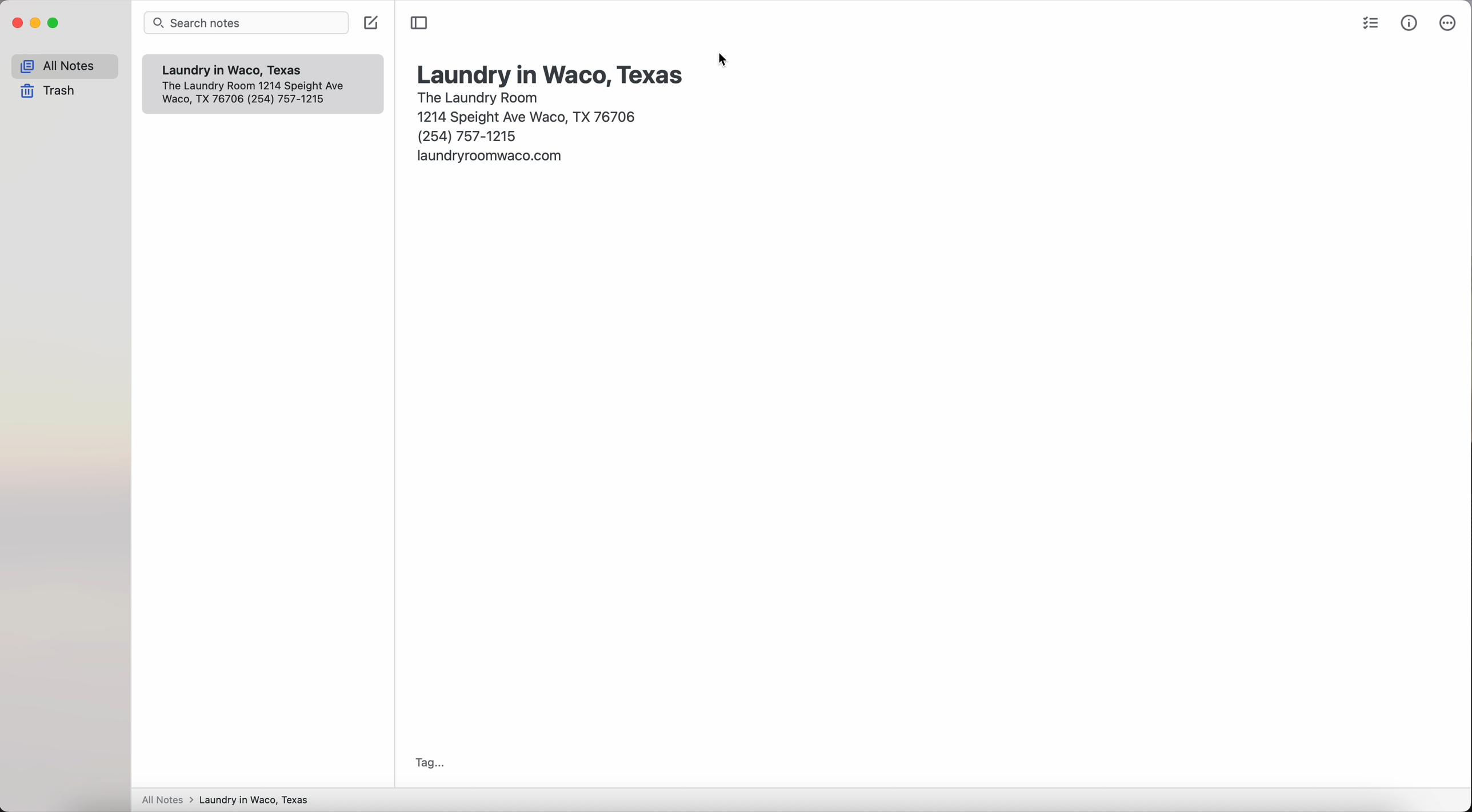 The width and height of the screenshot is (1472, 812). What do you see at coordinates (36, 23) in the screenshot?
I see `minimize app` at bounding box center [36, 23].